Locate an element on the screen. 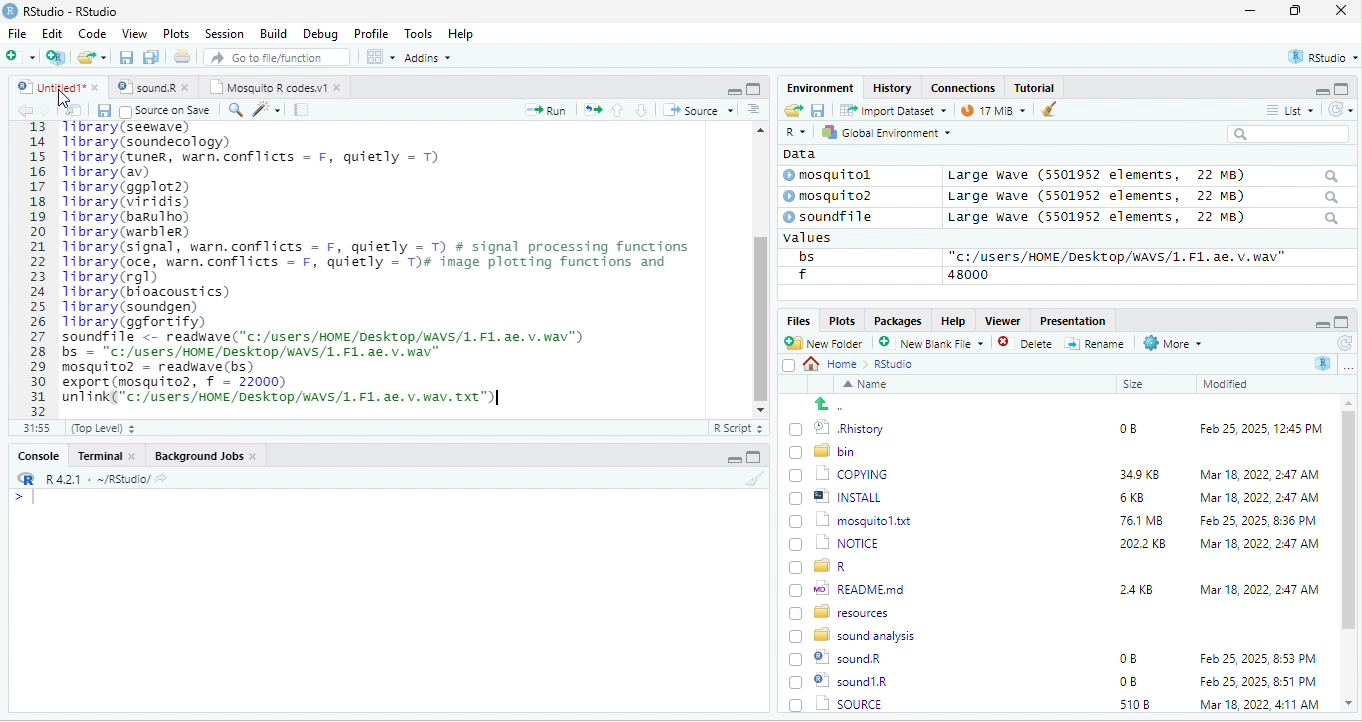 This screenshot has height=722, width=1362. maximize is located at coordinates (753, 457).